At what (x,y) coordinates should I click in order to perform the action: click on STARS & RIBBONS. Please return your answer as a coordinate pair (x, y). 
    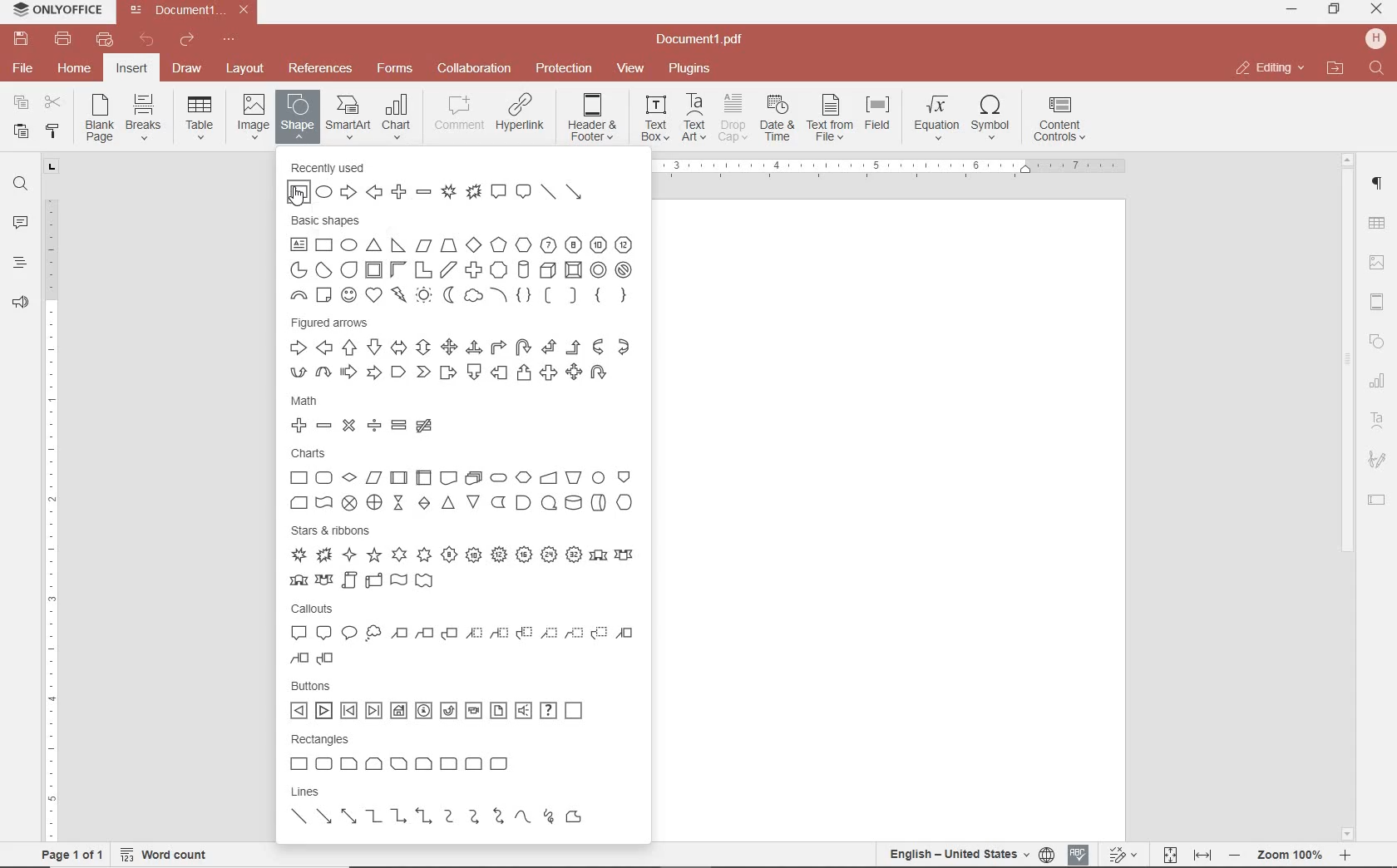
    Looking at the image, I should click on (462, 555).